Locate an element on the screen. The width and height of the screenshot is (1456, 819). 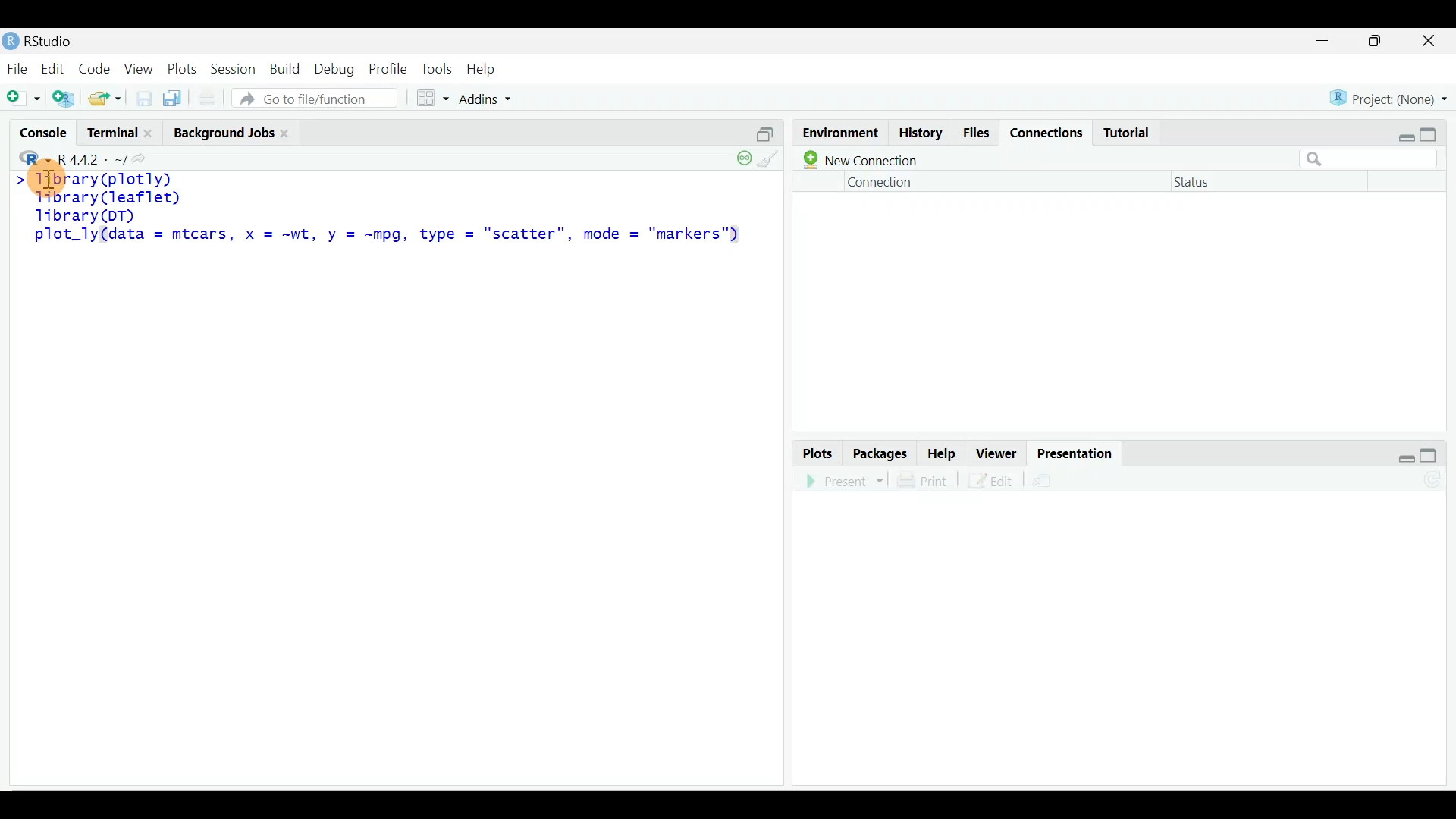
Background jobs is located at coordinates (222, 130).